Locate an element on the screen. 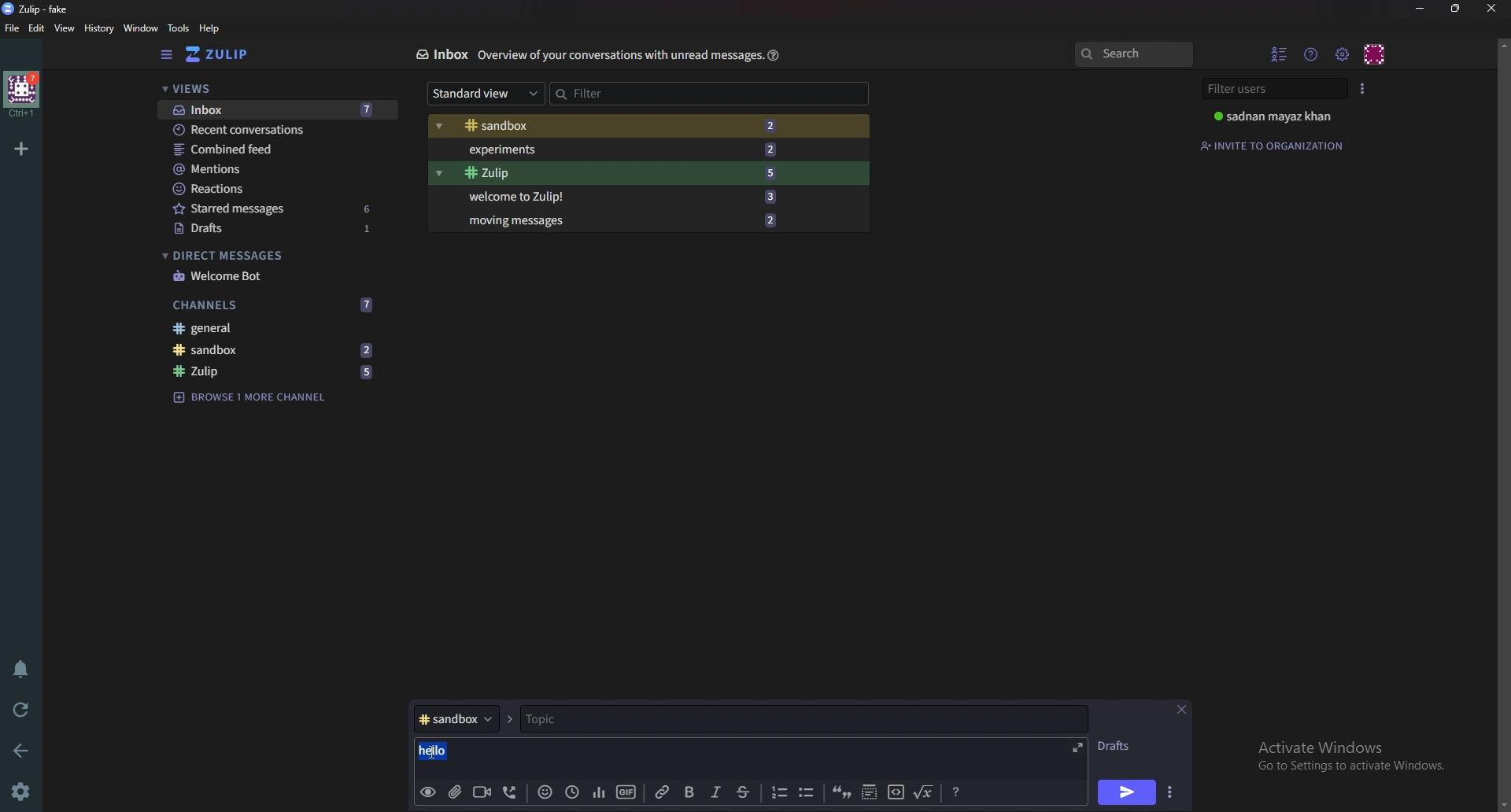  # sandbox 2 is located at coordinates (271, 350).